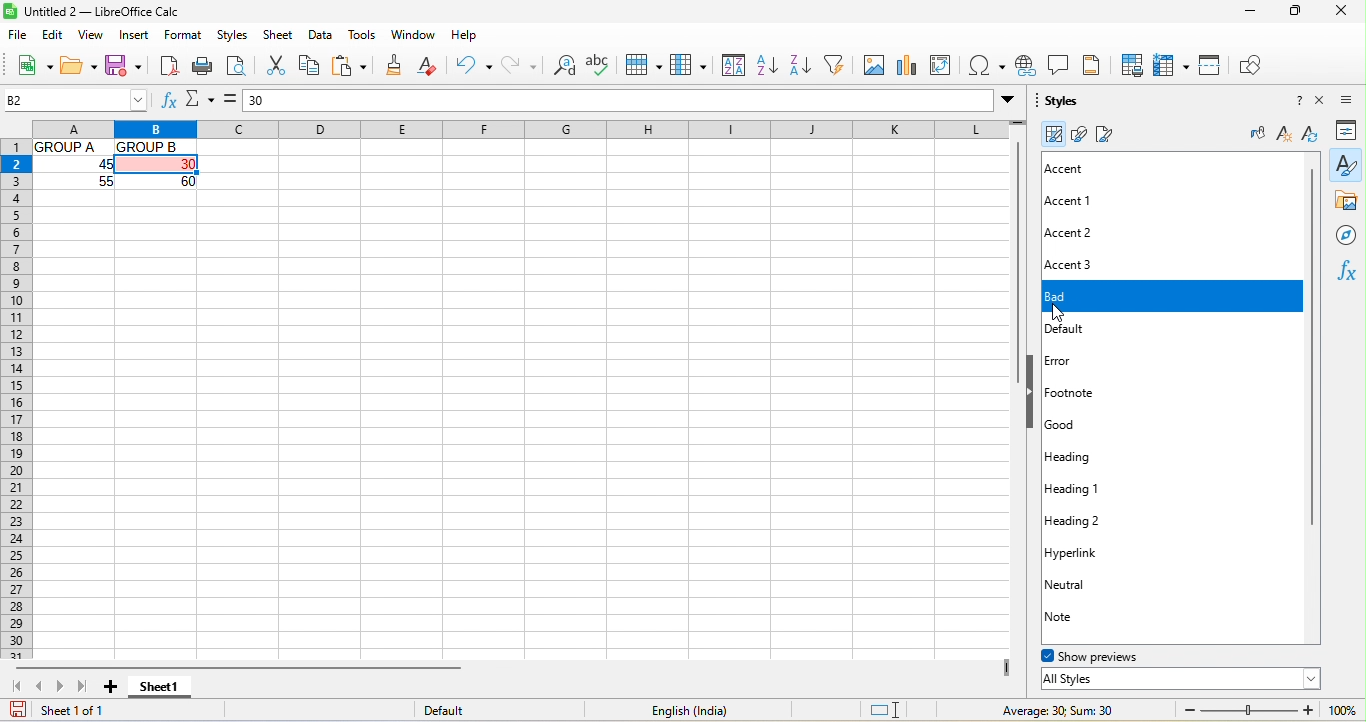 This screenshot has height=722, width=1366. What do you see at coordinates (839, 64) in the screenshot?
I see `auto filter` at bounding box center [839, 64].